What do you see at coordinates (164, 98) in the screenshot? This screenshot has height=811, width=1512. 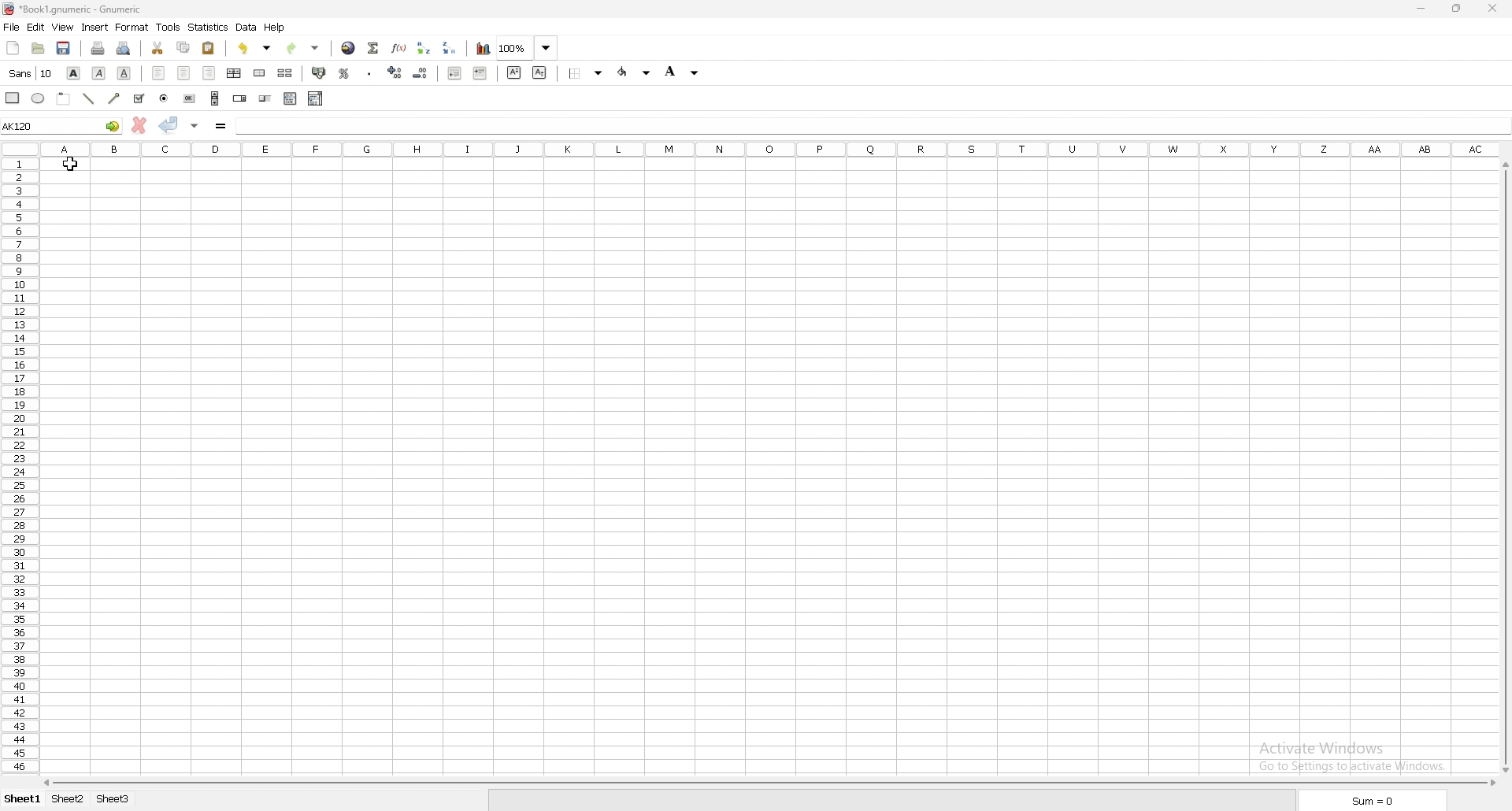 I see `radio button` at bounding box center [164, 98].